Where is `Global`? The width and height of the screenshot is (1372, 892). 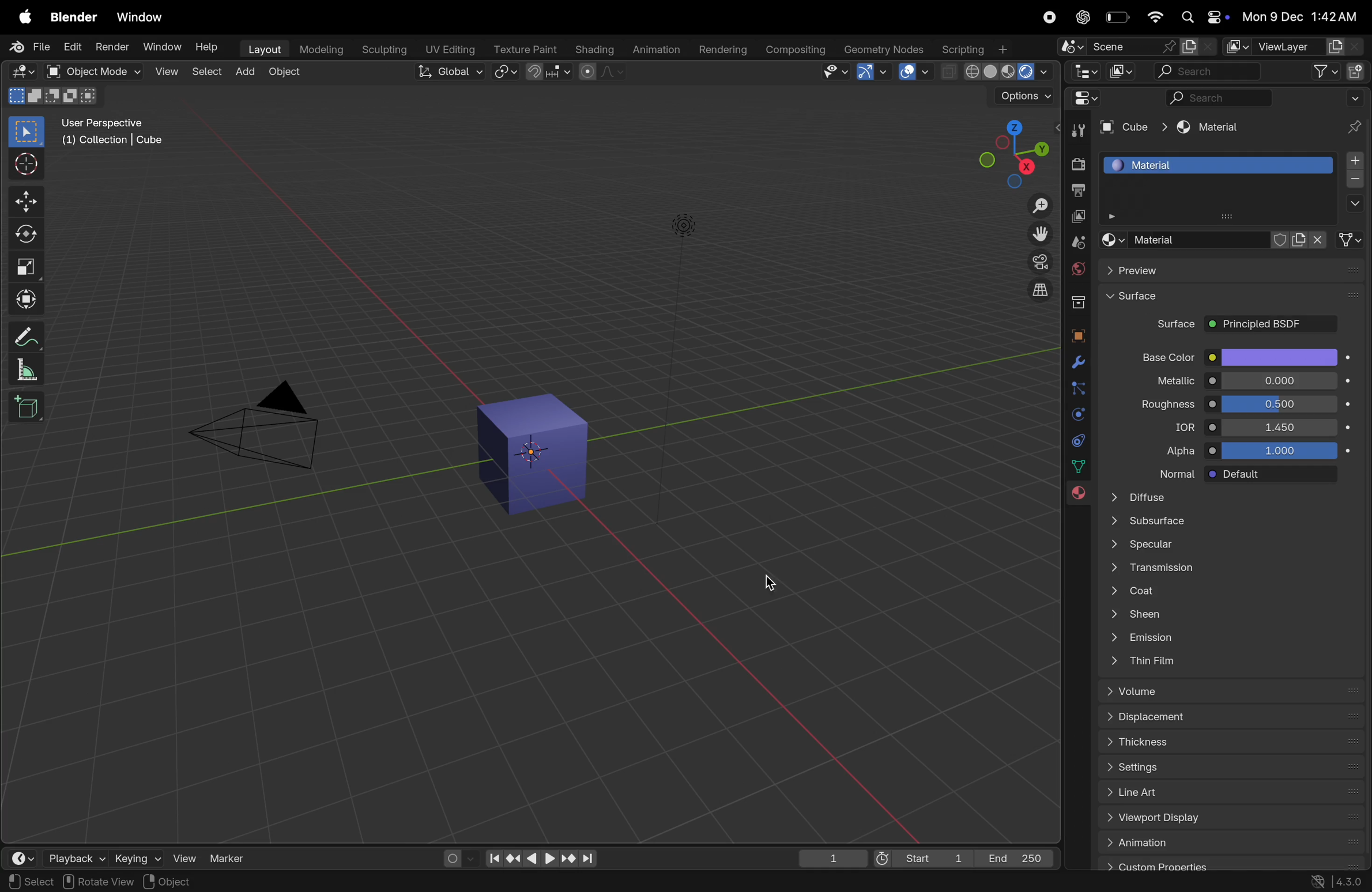 Global is located at coordinates (451, 71).